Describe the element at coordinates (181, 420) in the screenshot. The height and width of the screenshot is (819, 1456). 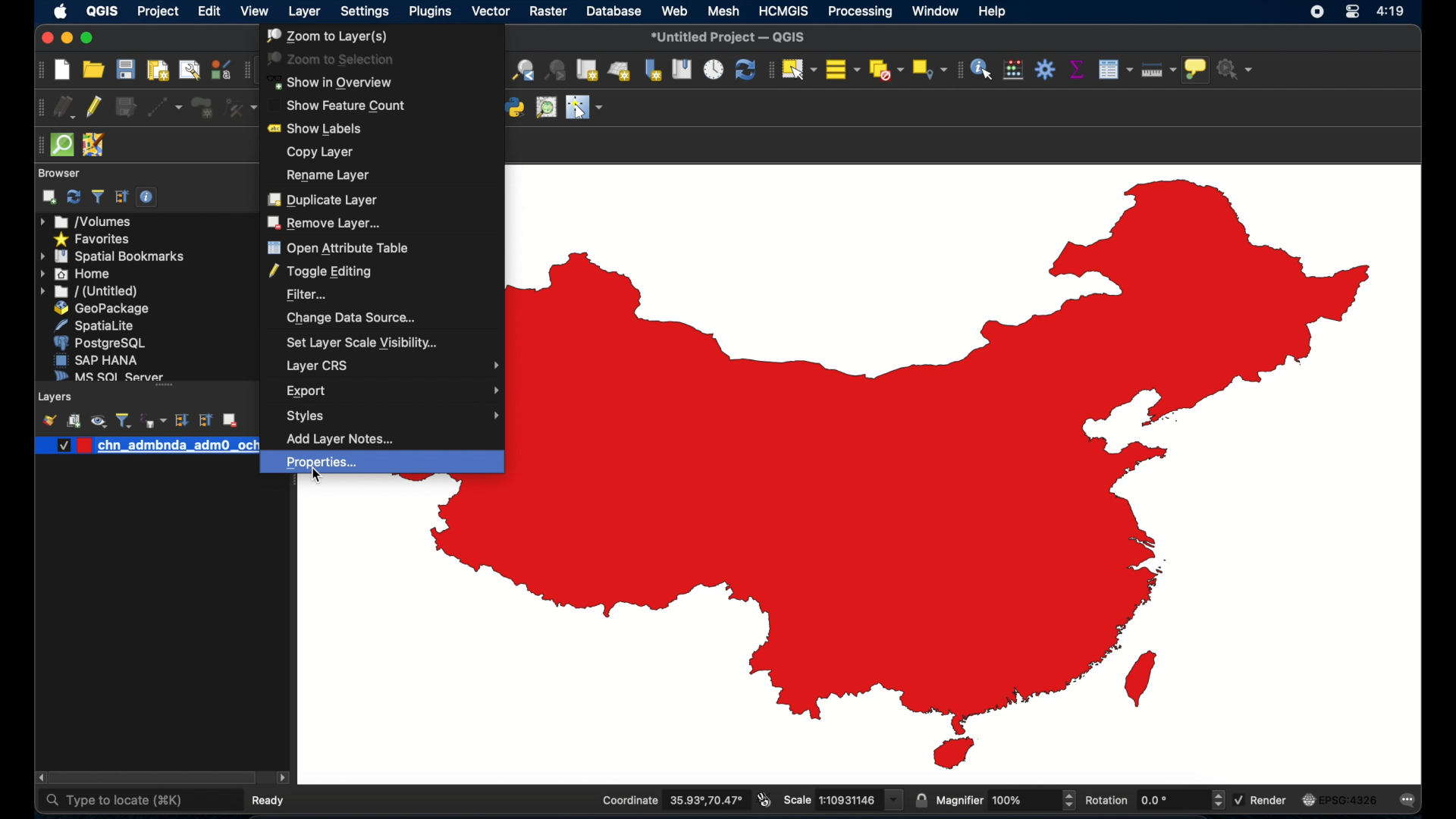
I see `expand` at that location.